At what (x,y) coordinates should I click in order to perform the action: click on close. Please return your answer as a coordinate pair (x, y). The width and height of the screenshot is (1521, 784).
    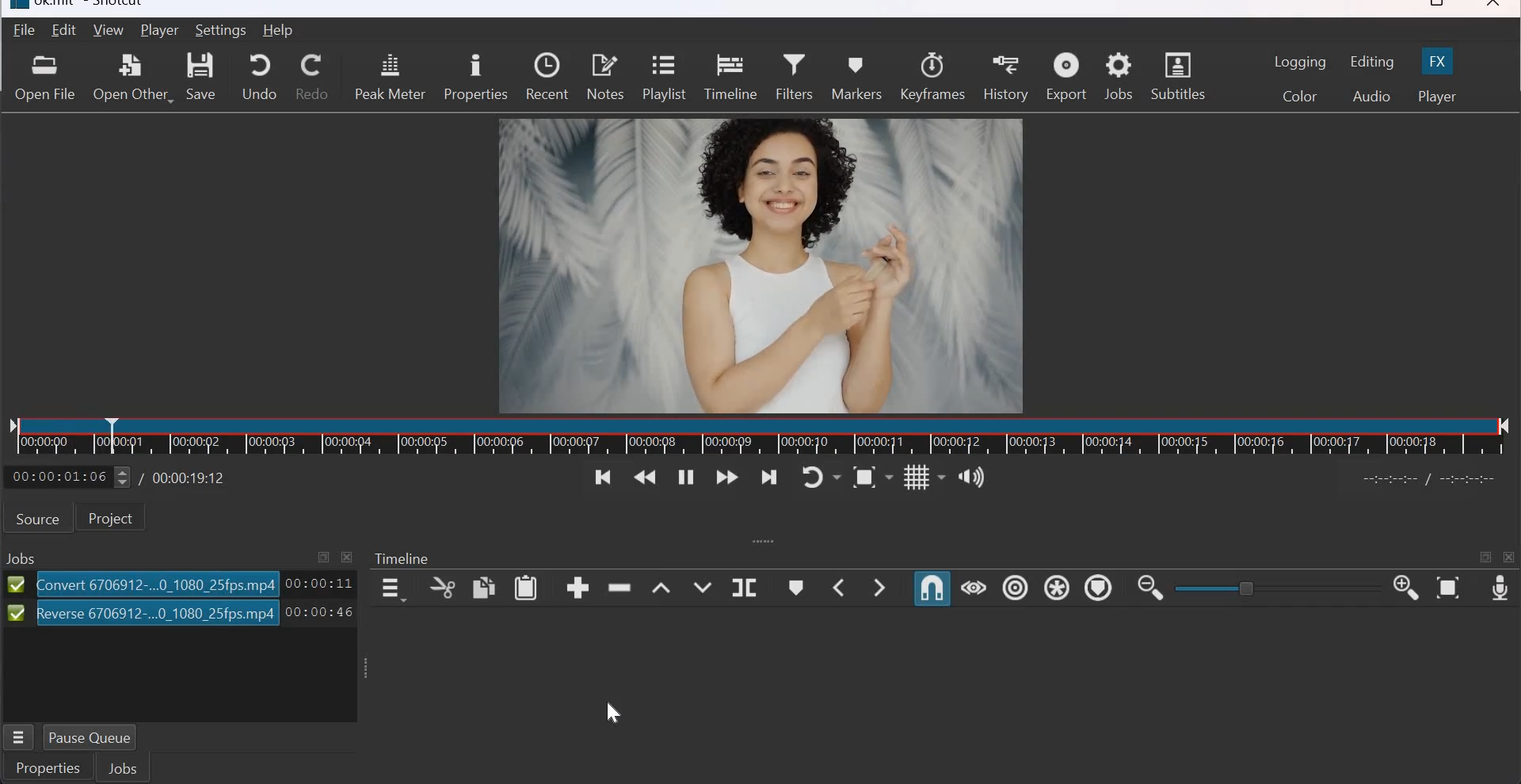
    Looking at the image, I should click on (346, 557).